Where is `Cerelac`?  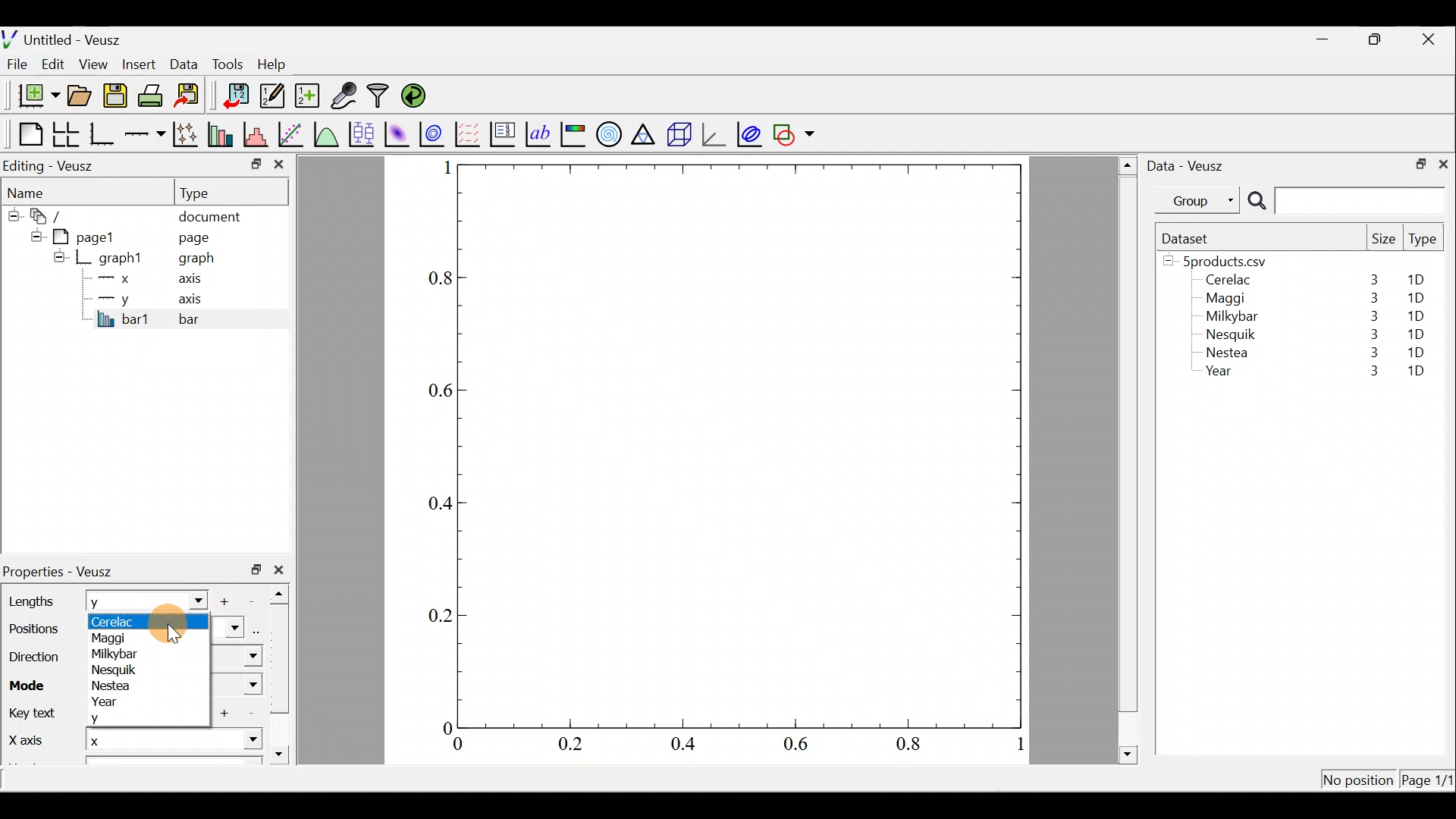 Cerelac is located at coordinates (124, 620).